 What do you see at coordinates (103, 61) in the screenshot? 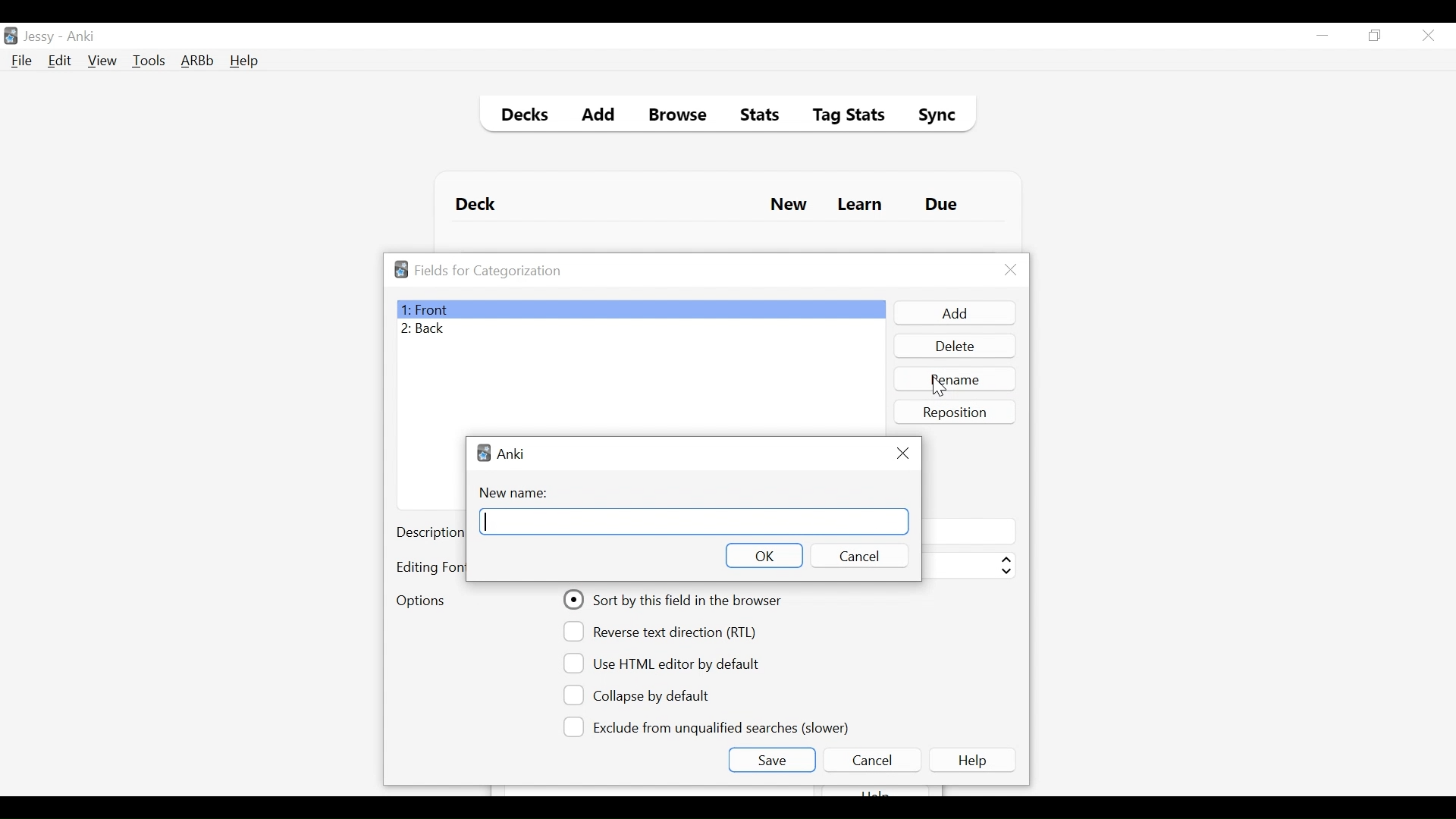
I see `View` at bounding box center [103, 61].